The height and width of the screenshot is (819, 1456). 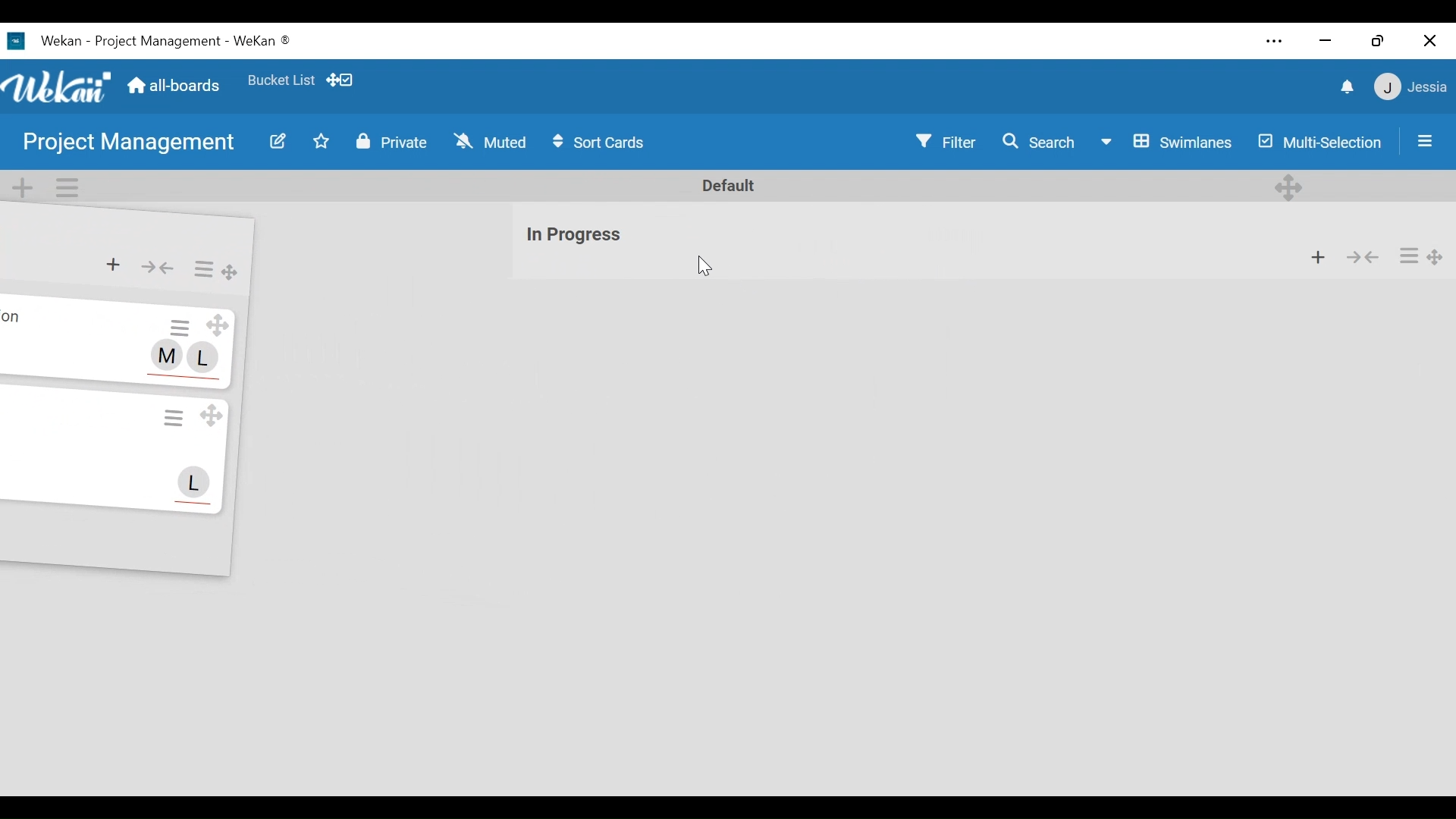 I want to click on Card Actions, so click(x=173, y=417).